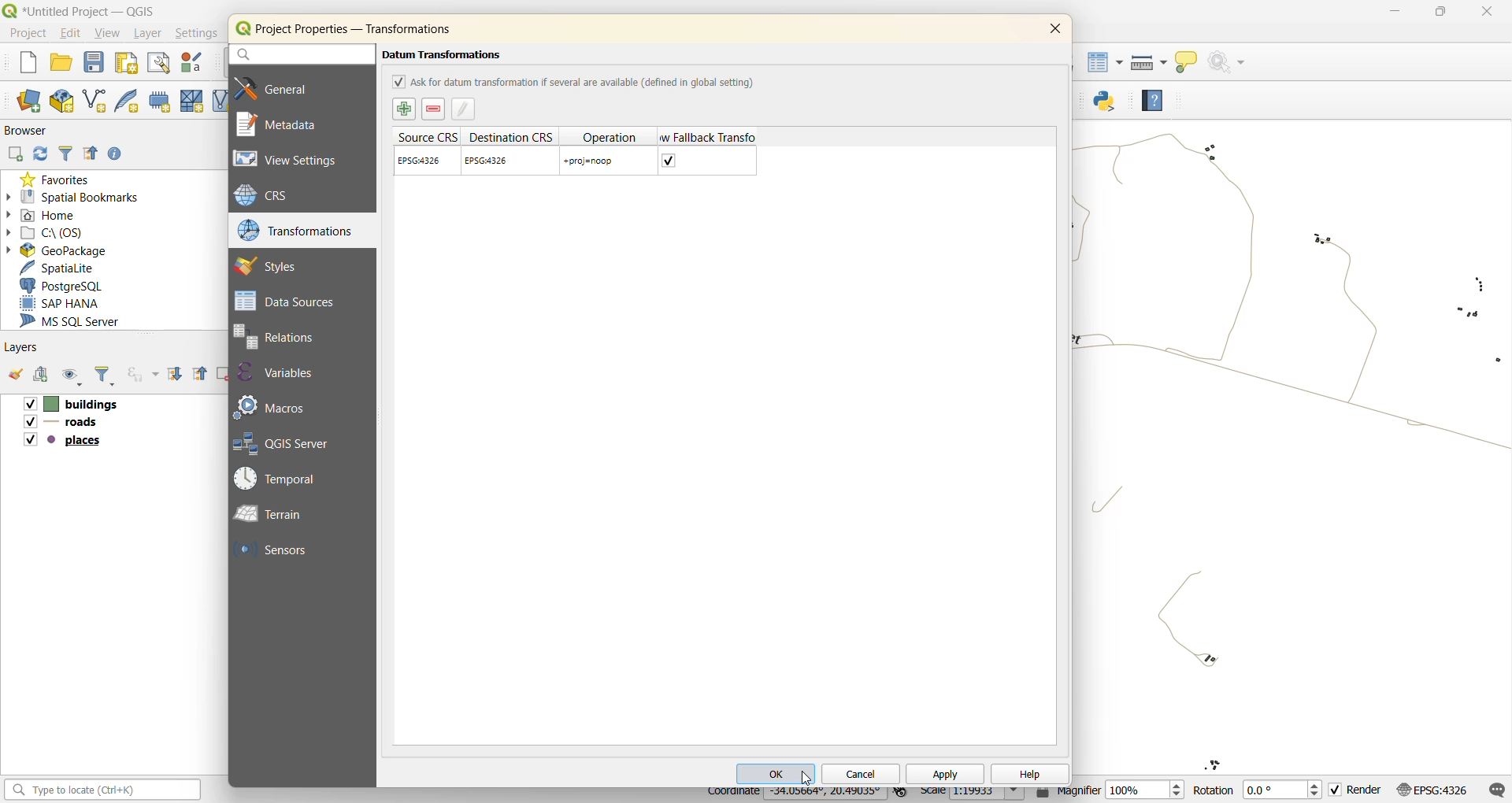 The image size is (1512, 803). What do you see at coordinates (61, 424) in the screenshot?
I see `roads` at bounding box center [61, 424].